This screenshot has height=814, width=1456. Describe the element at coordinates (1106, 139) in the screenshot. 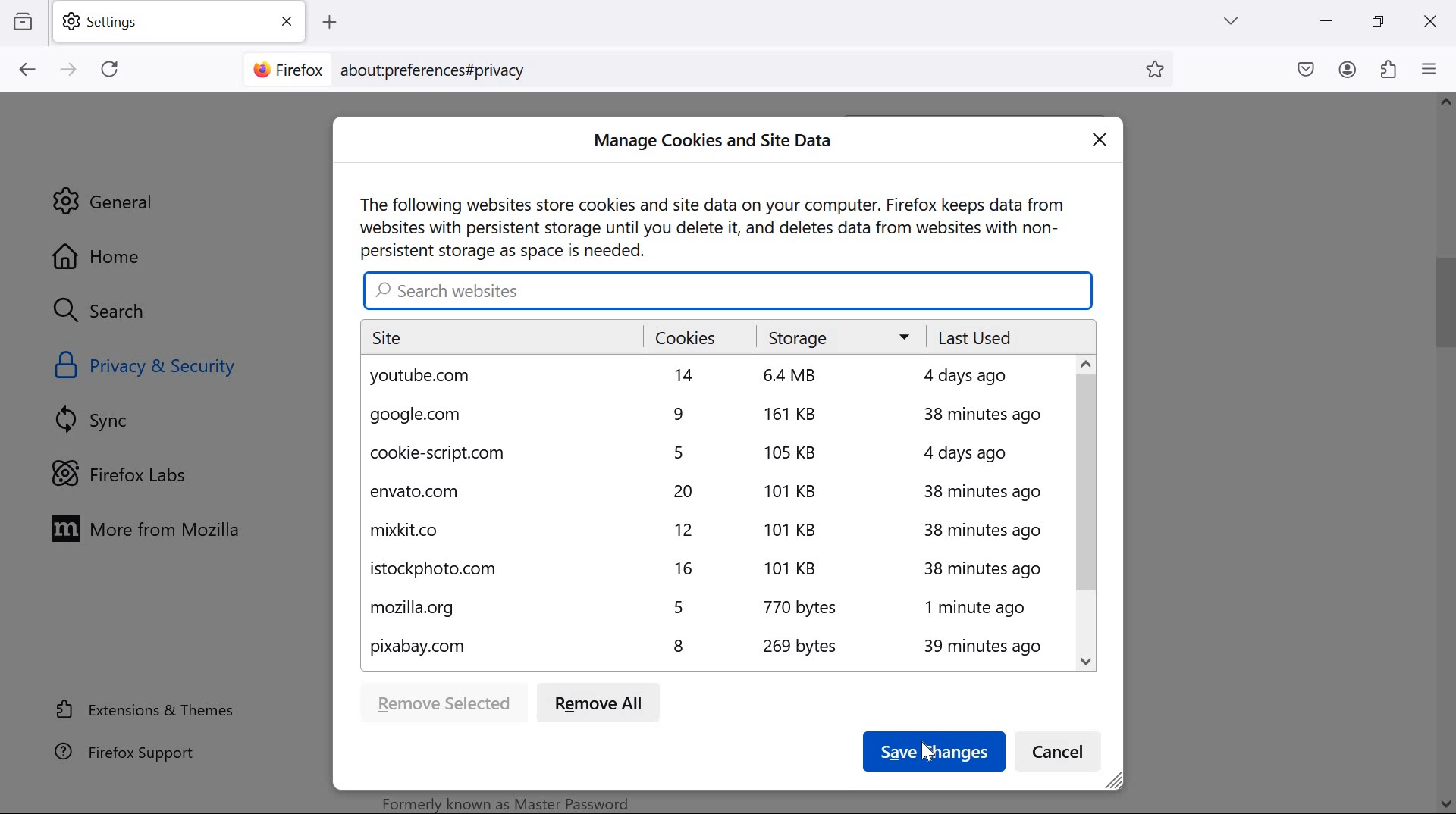

I see `close` at that location.